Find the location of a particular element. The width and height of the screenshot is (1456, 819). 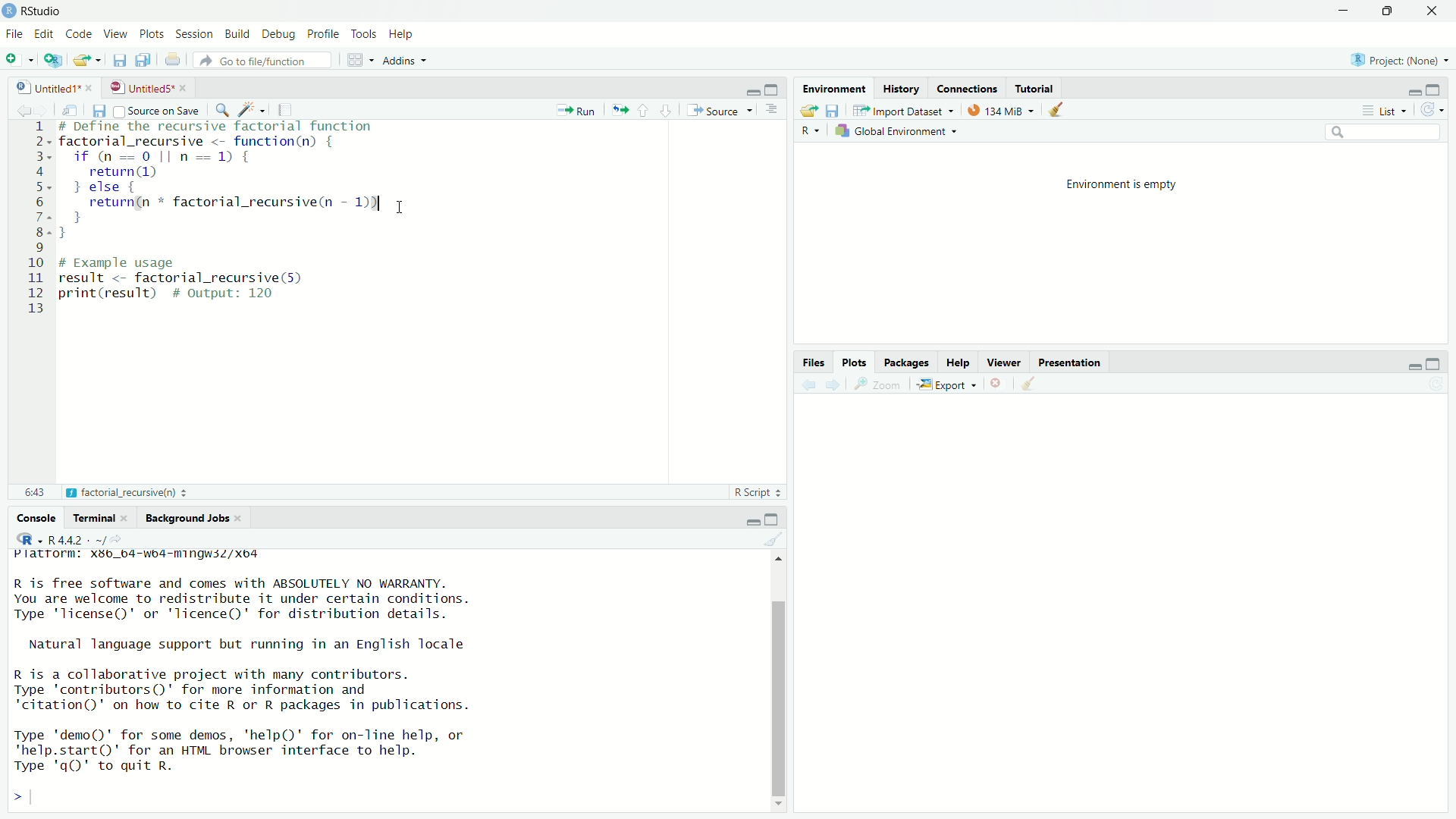

Maximize is located at coordinates (773, 520).